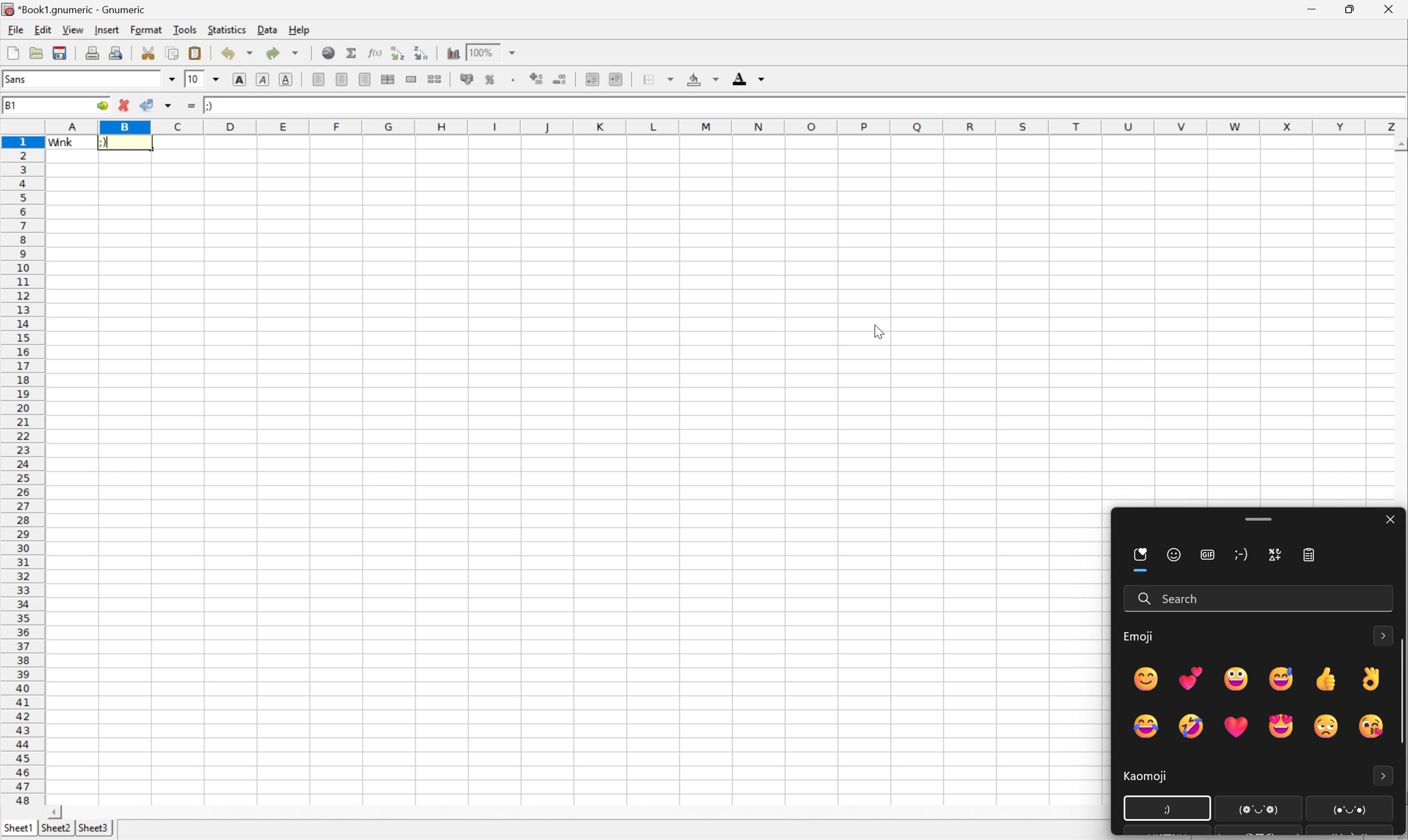 The width and height of the screenshot is (1408, 840). Describe the element at coordinates (389, 78) in the screenshot. I see `center horizontally` at that location.